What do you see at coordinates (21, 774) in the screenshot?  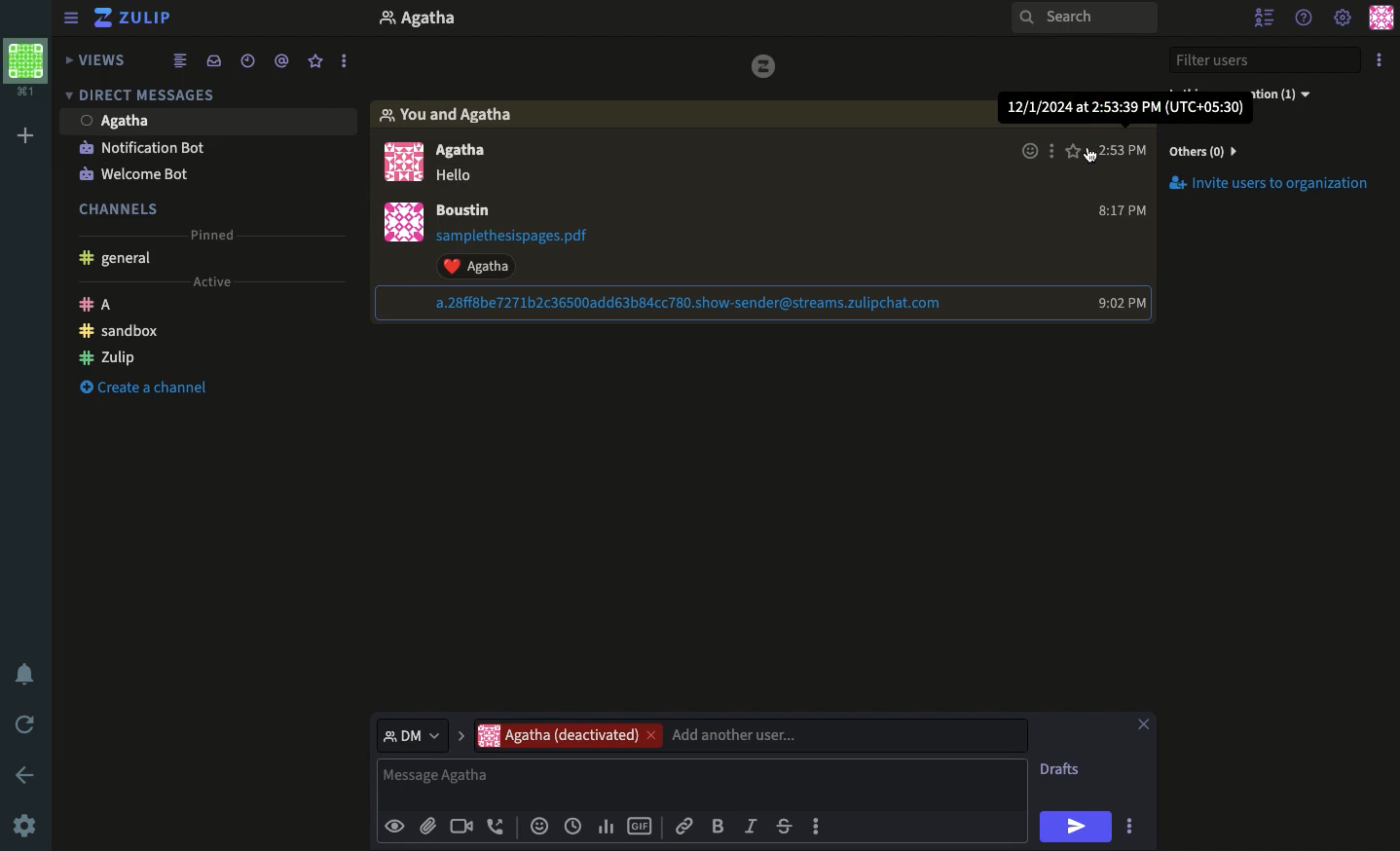 I see `Back` at bounding box center [21, 774].